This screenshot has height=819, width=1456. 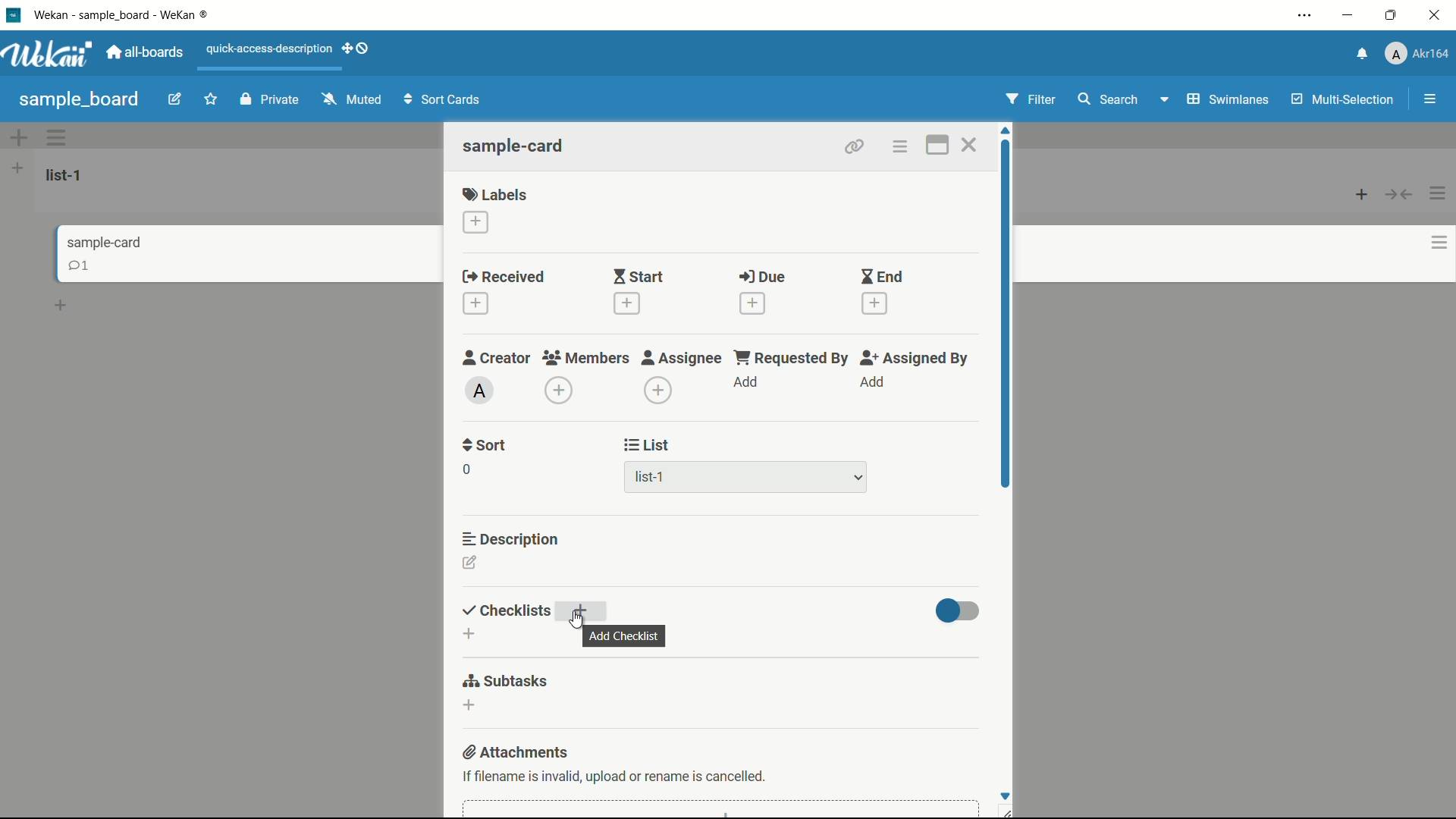 What do you see at coordinates (165, 99) in the screenshot?
I see `edit` at bounding box center [165, 99].